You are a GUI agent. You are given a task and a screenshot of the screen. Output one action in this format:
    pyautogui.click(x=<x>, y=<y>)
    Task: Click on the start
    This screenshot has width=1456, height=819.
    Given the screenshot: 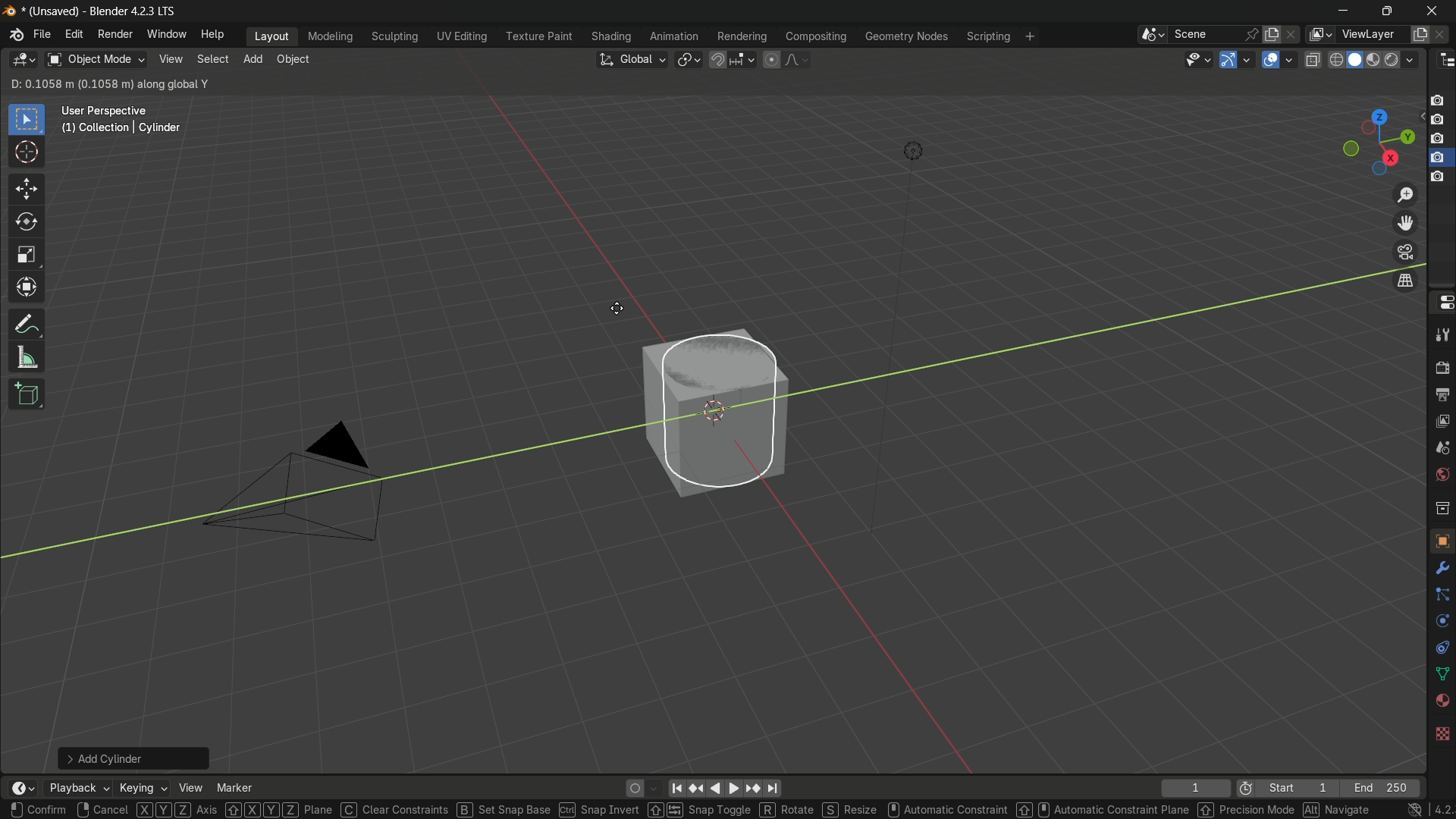 What is the action you would take?
    pyautogui.click(x=1299, y=787)
    